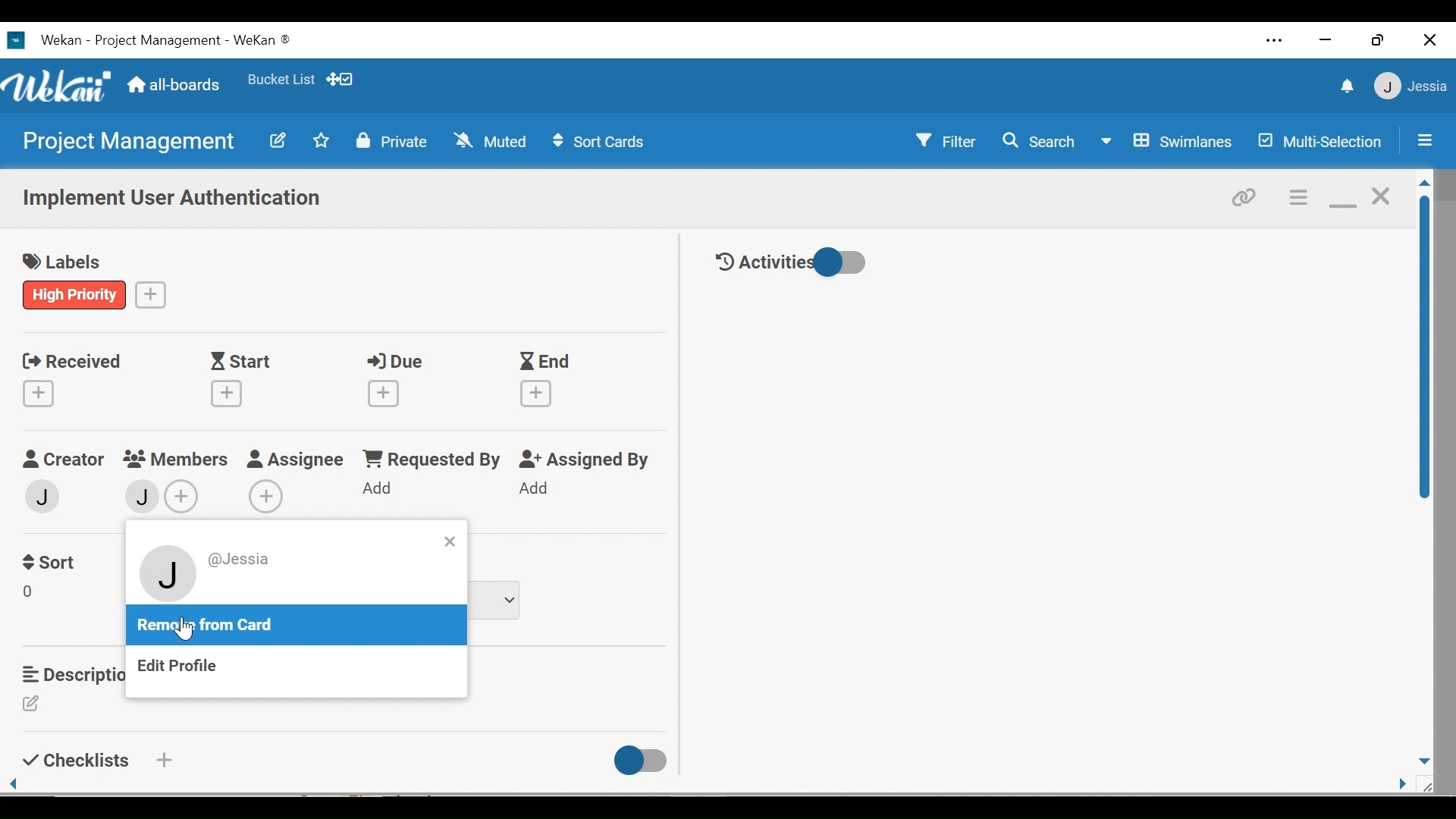 This screenshot has height=819, width=1456. What do you see at coordinates (268, 495) in the screenshot?
I see `add` at bounding box center [268, 495].